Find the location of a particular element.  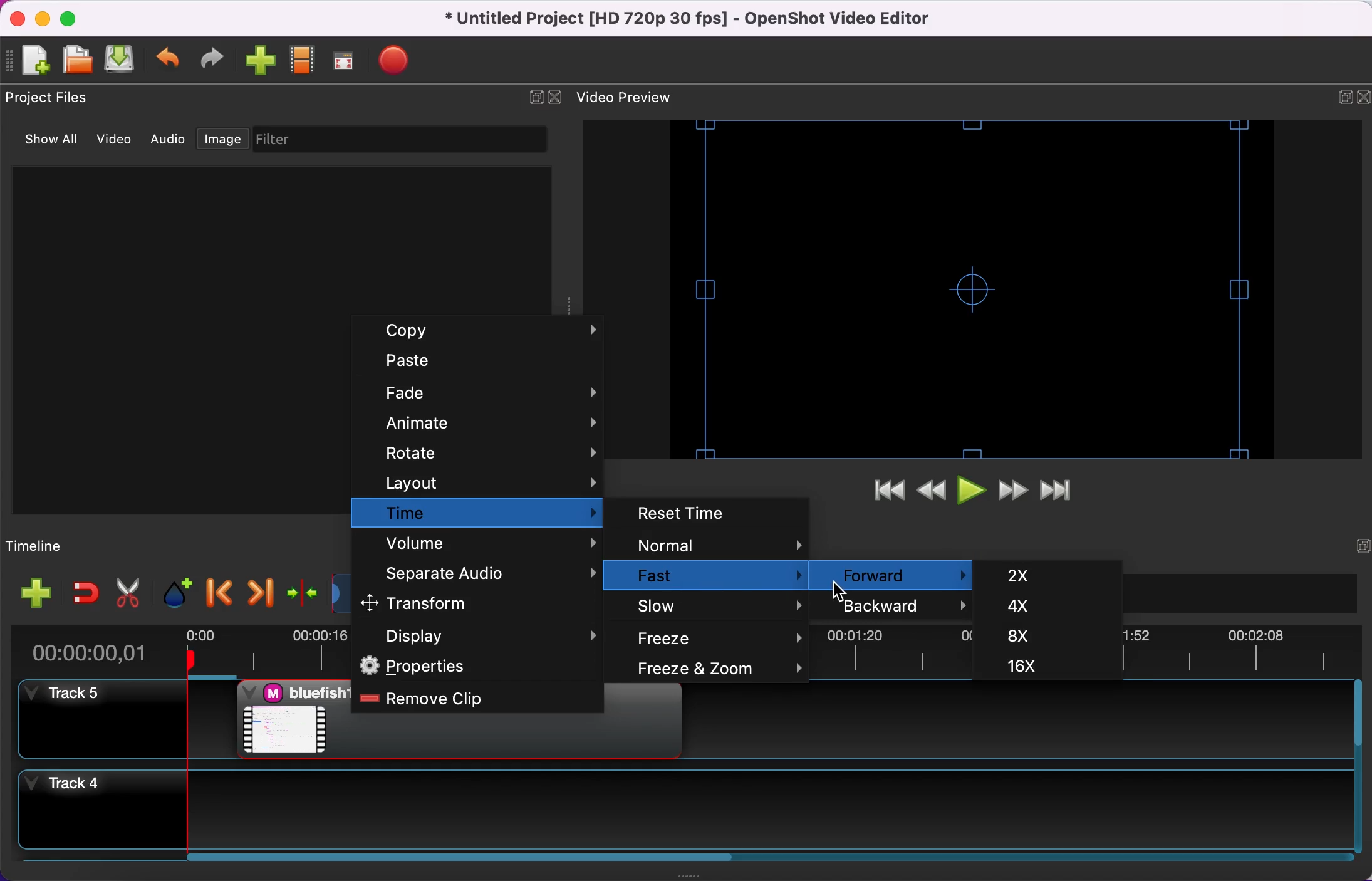

project files is located at coordinates (53, 97).